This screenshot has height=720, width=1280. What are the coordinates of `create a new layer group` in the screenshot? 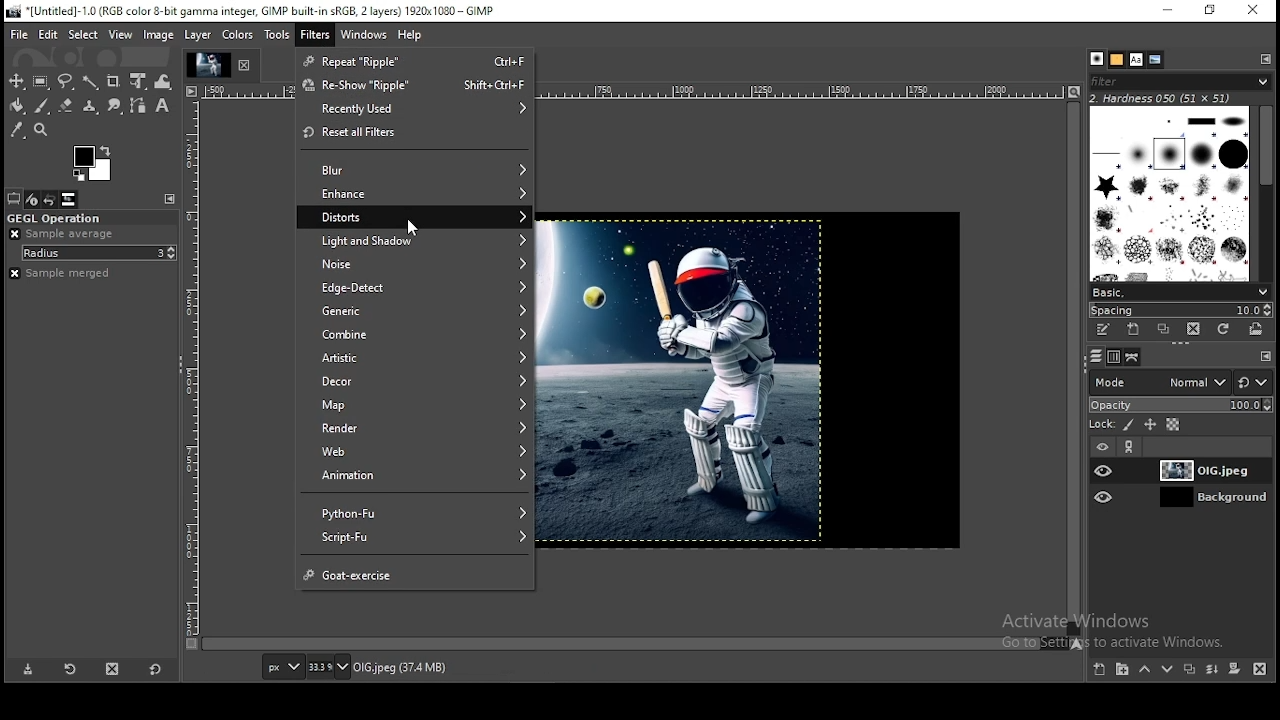 It's located at (1125, 669).